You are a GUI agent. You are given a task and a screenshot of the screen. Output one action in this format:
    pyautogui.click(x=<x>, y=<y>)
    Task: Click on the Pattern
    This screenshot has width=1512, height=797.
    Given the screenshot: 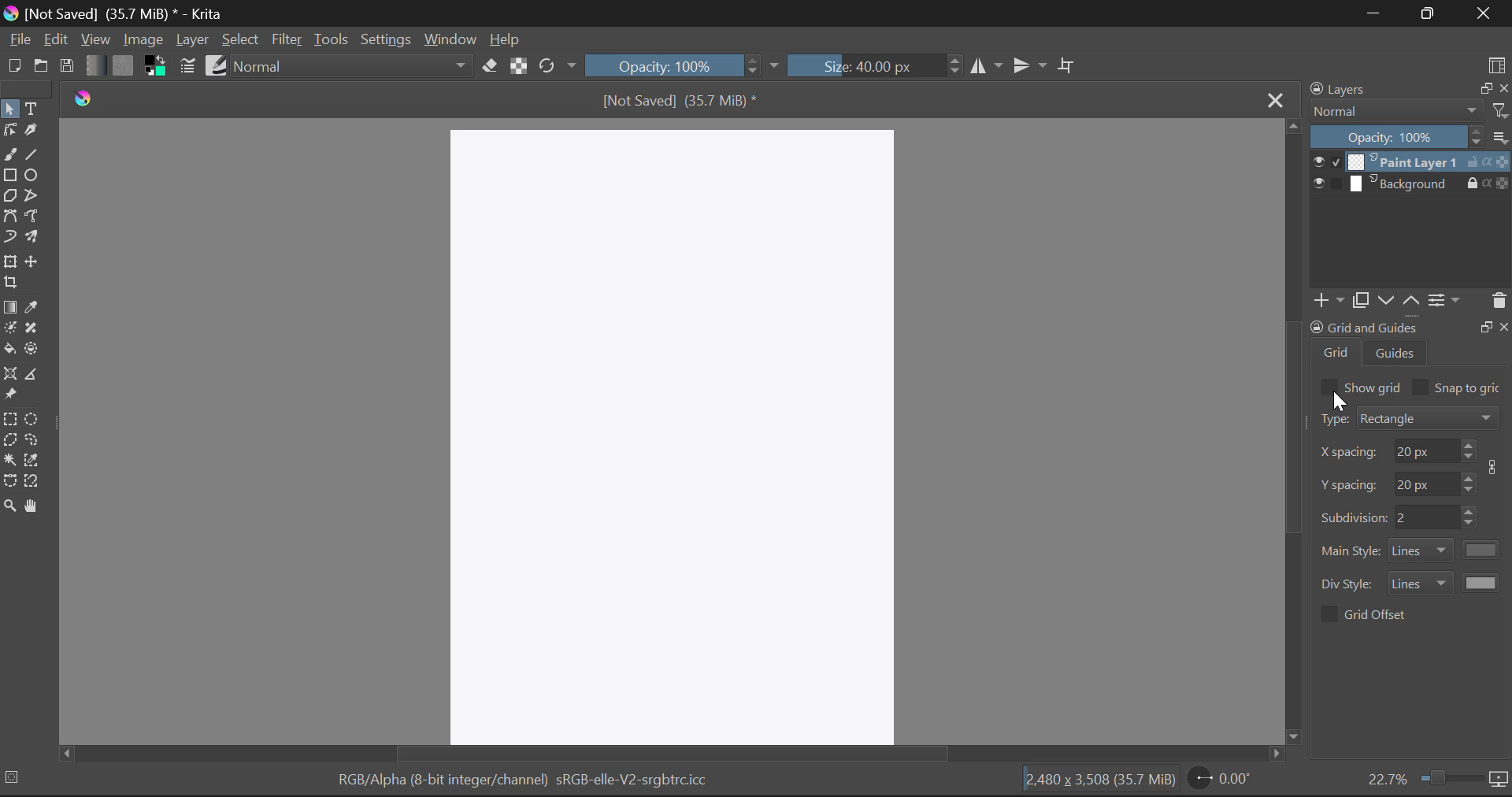 What is the action you would take?
    pyautogui.click(x=124, y=65)
    